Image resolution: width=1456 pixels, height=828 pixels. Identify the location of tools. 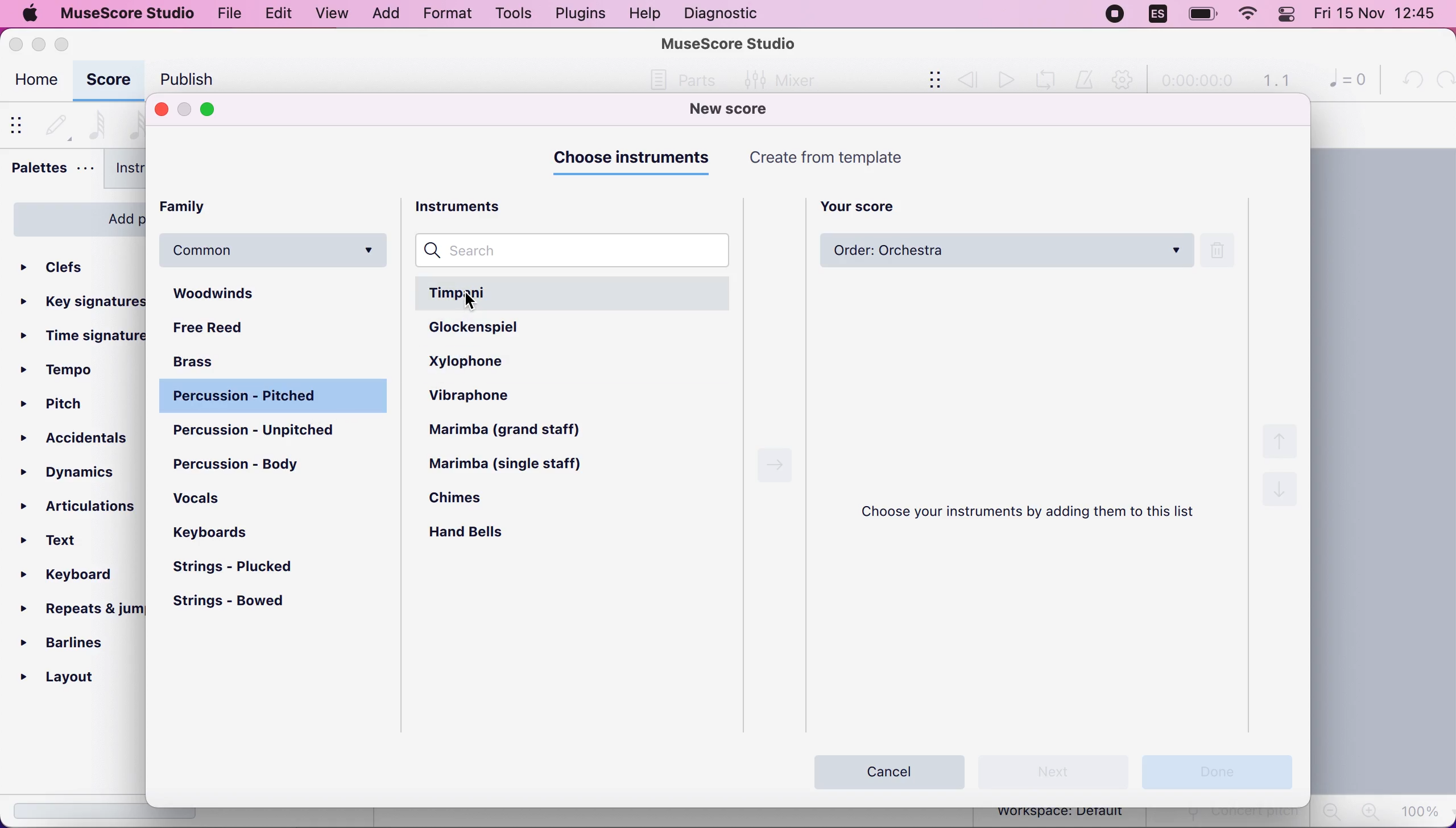
(508, 14).